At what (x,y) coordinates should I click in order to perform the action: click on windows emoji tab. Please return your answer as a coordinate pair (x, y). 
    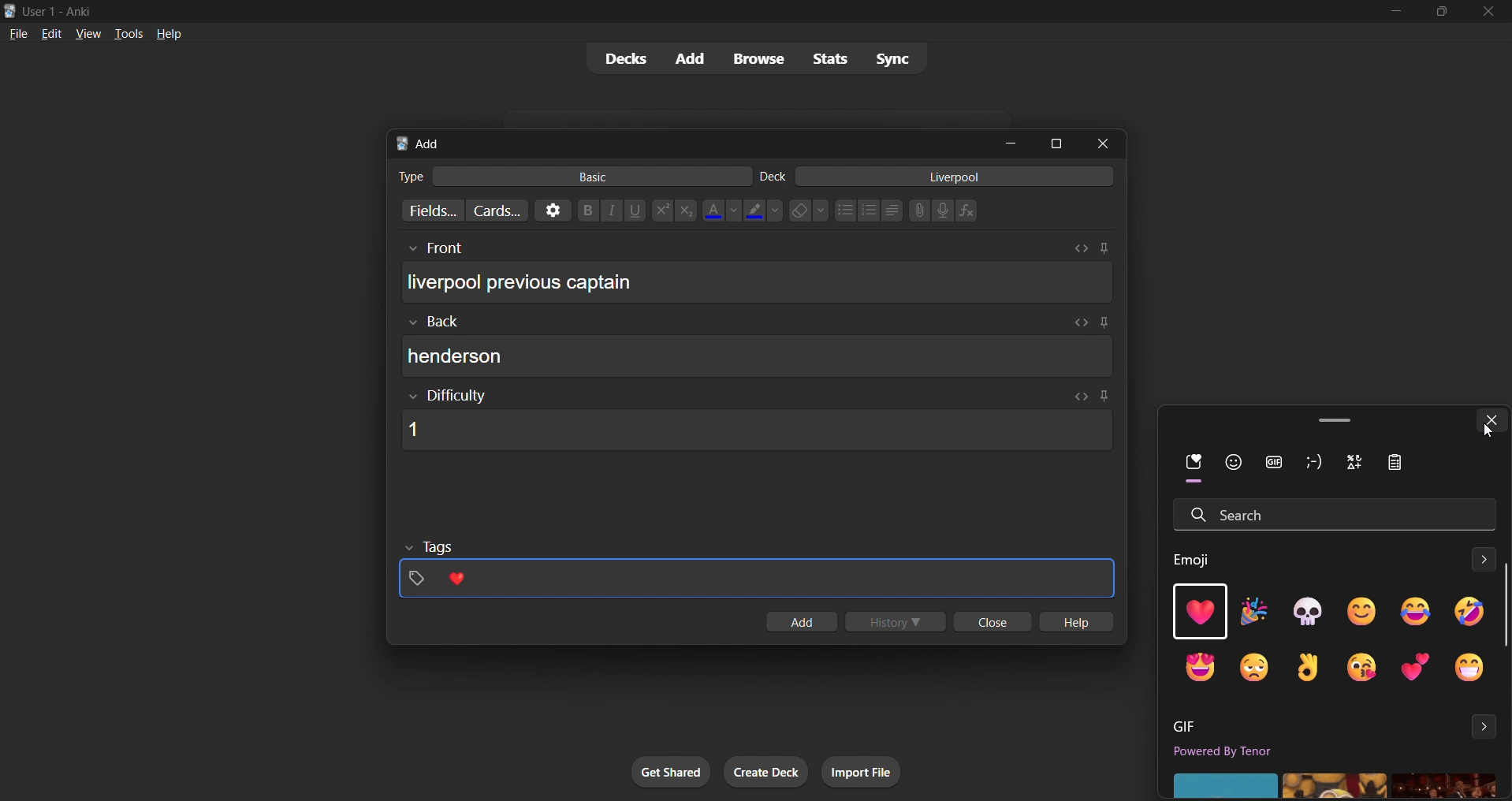
    Looking at the image, I should click on (1313, 418).